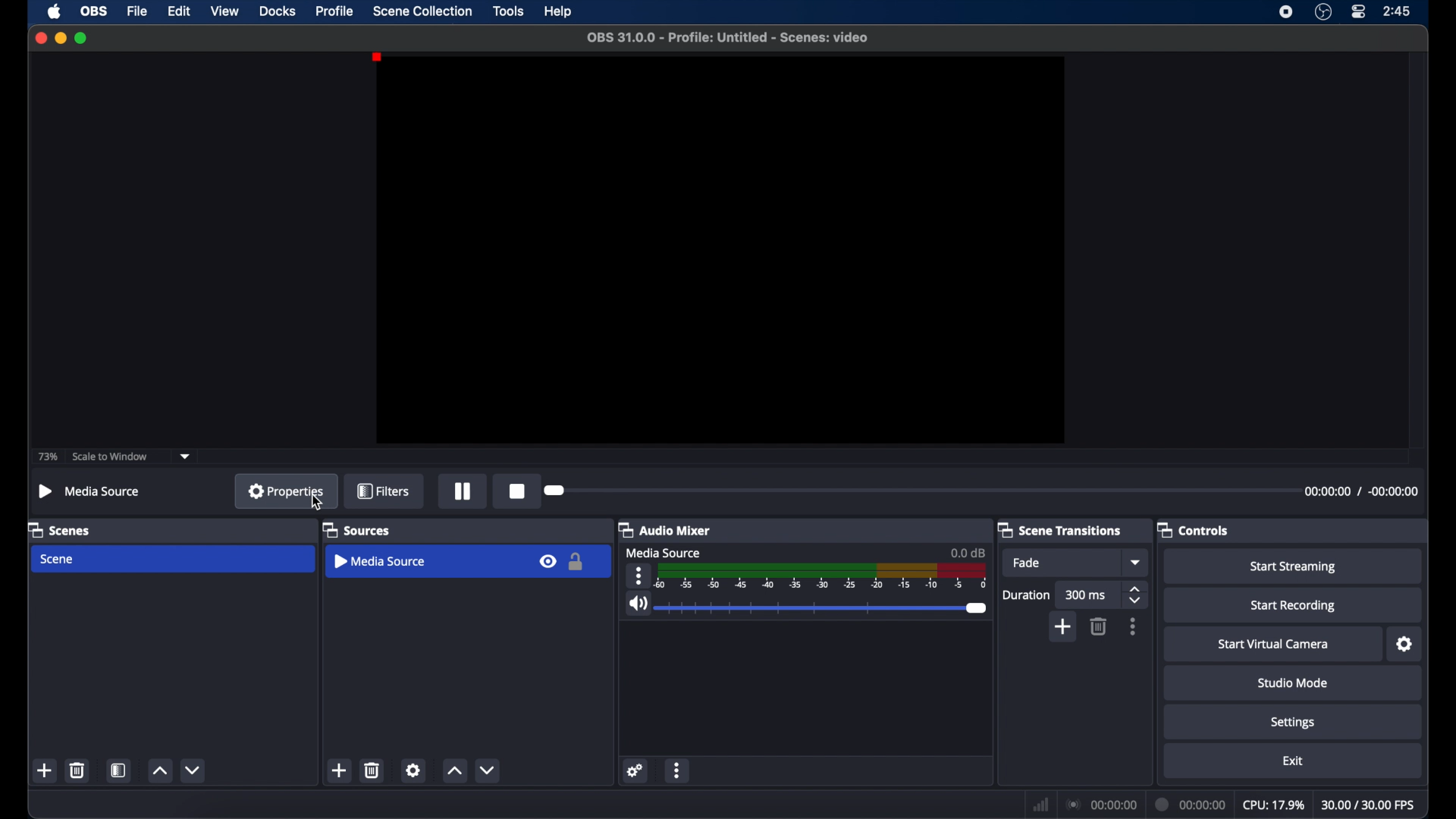 Image resolution: width=1456 pixels, height=819 pixels. I want to click on 300 ms, so click(1086, 595).